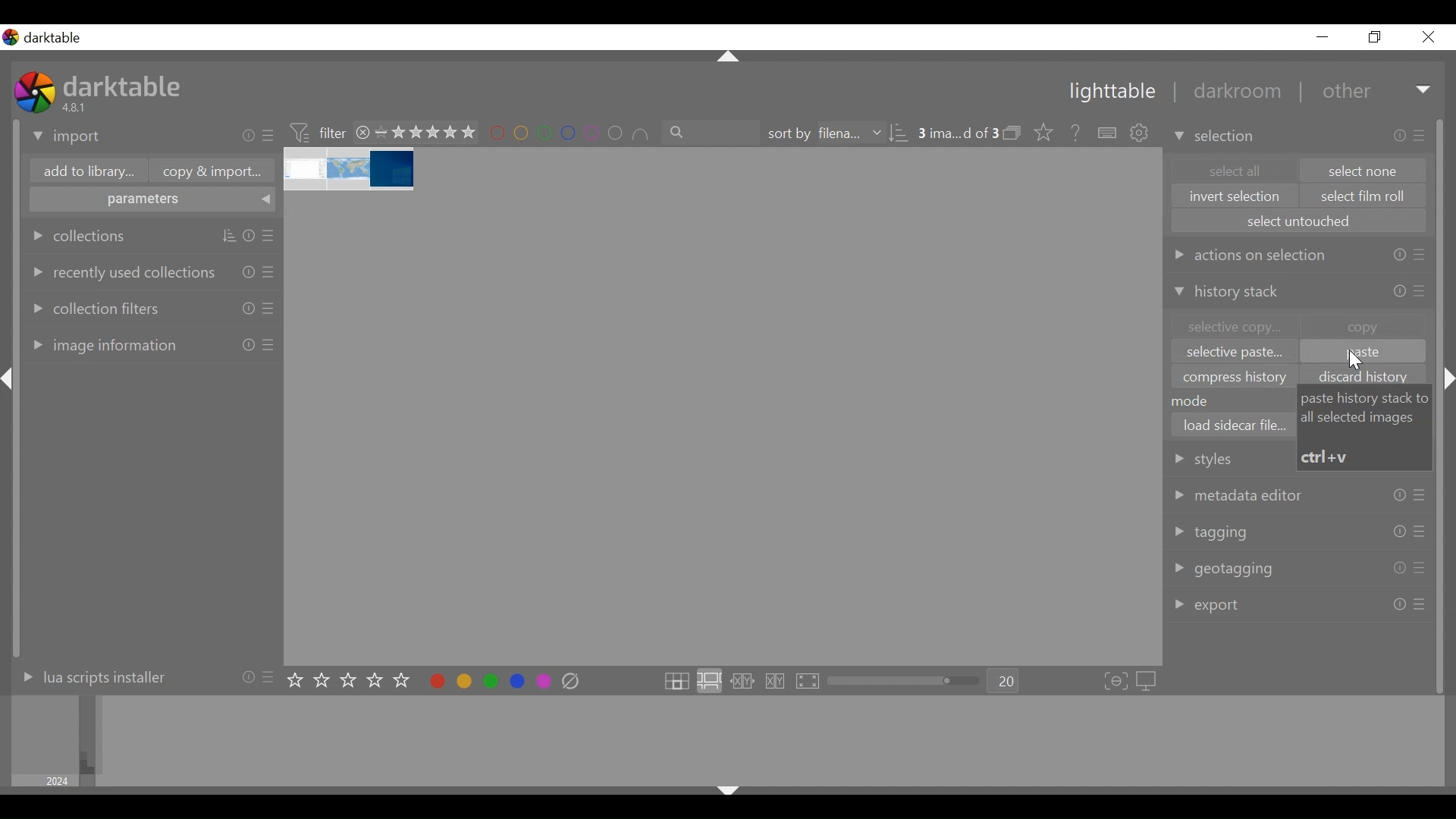 Image resolution: width=1456 pixels, height=819 pixels. Describe the element at coordinates (743, 682) in the screenshot. I see `click to enter culling layout in fixed mode` at that location.